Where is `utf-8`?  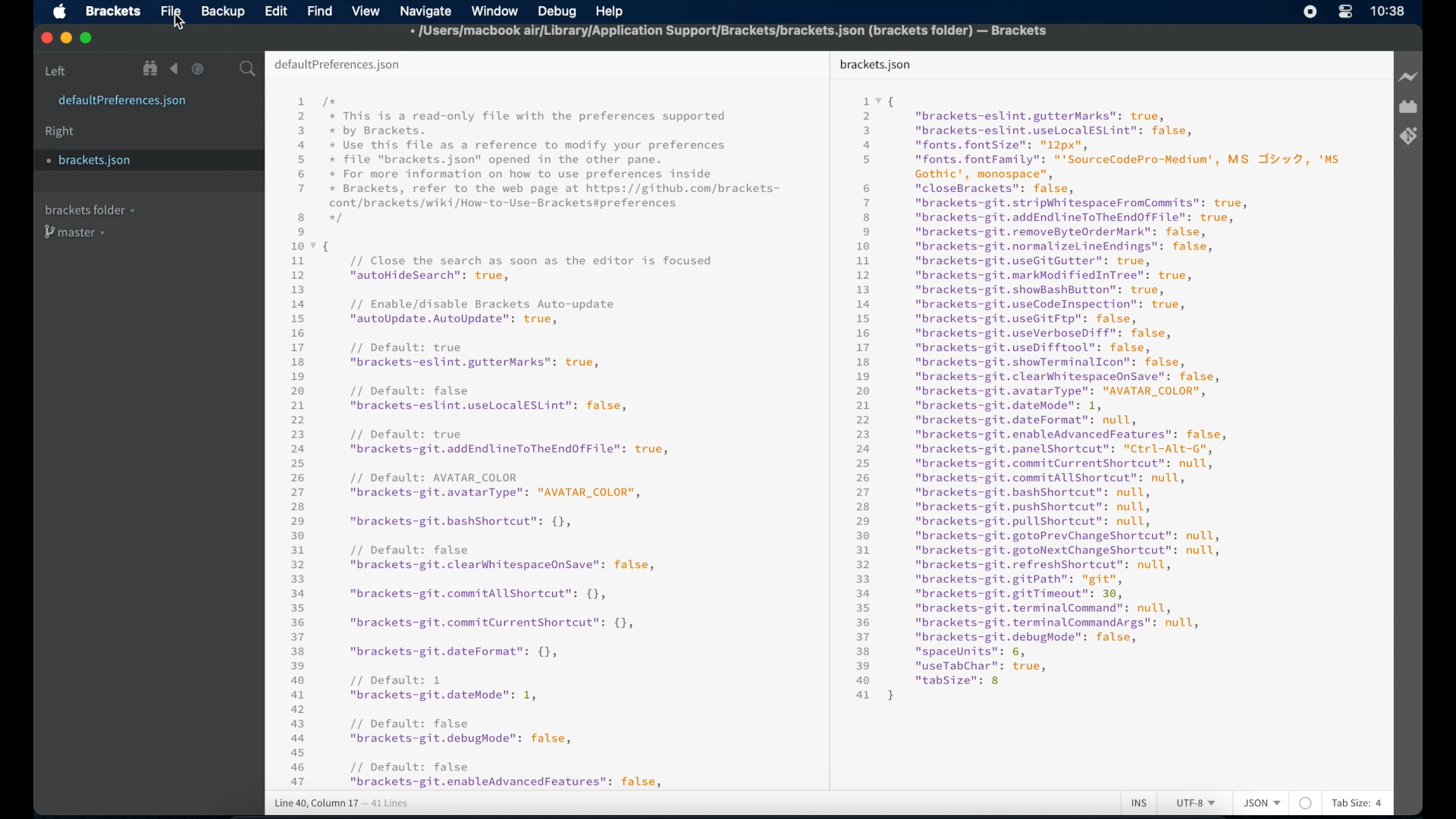
utf-8 is located at coordinates (1197, 803).